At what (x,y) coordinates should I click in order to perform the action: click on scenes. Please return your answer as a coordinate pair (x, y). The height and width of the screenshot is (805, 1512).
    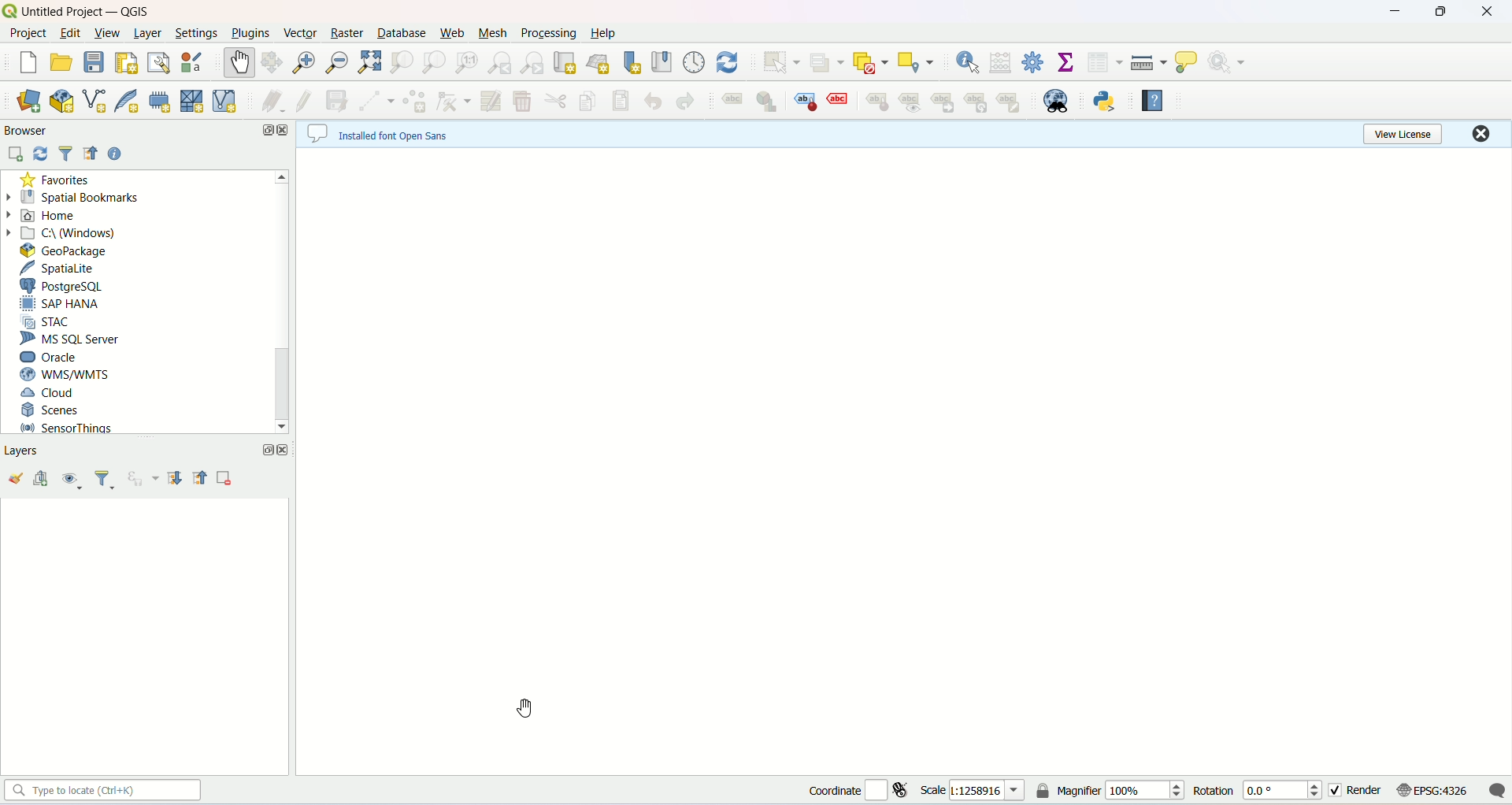
    Looking at the image, I should click on (54, 410).